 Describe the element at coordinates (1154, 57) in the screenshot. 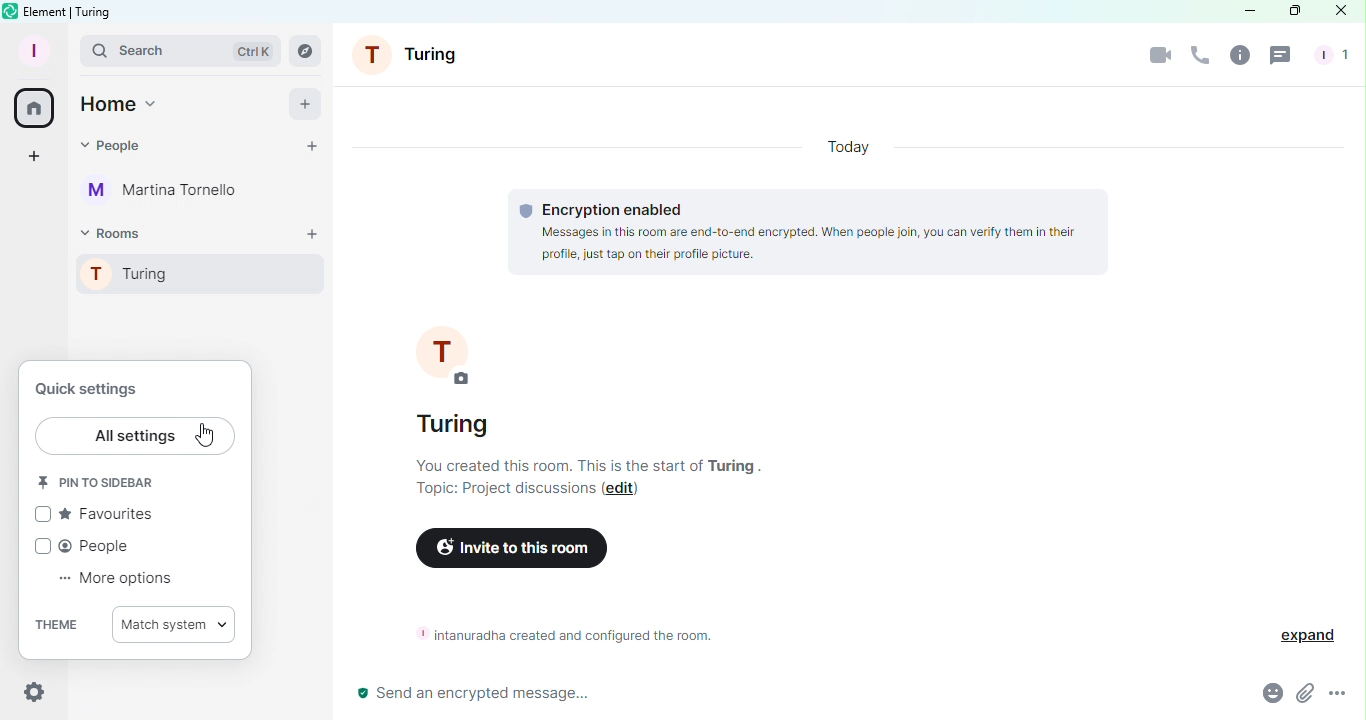

I see `Video call` at that location.